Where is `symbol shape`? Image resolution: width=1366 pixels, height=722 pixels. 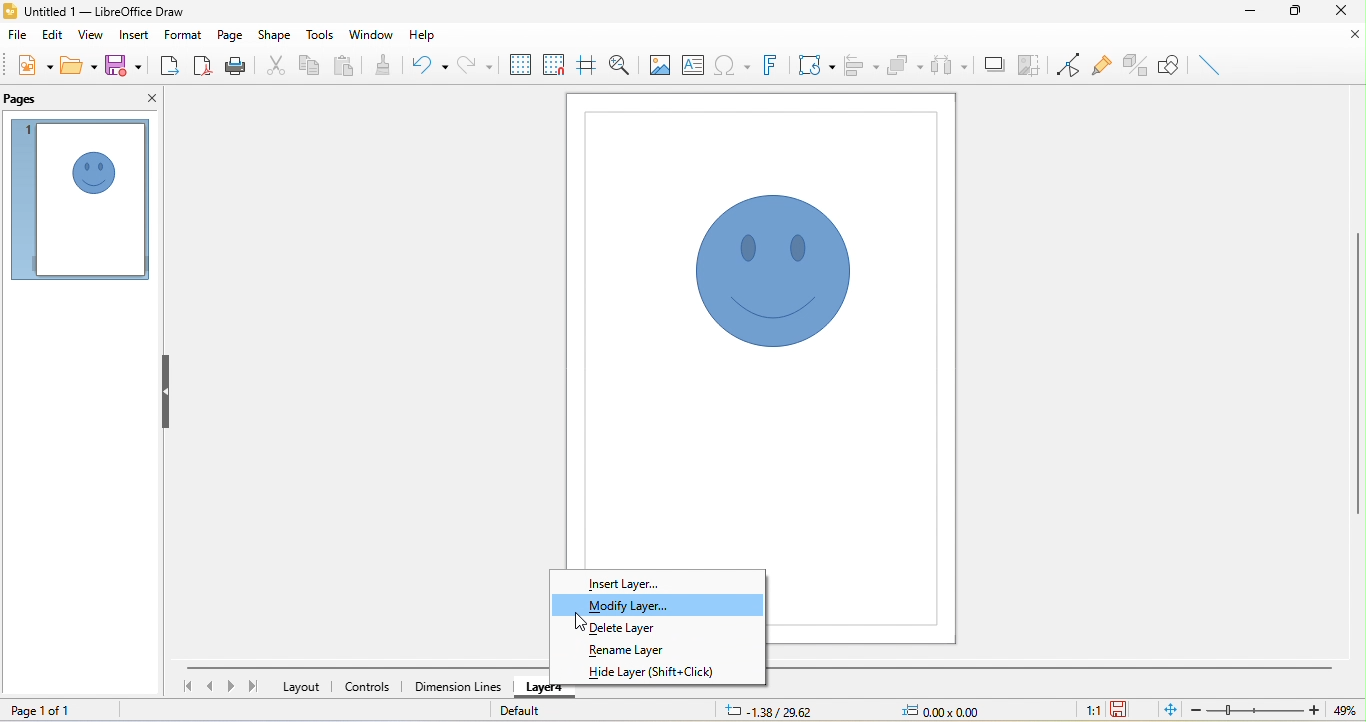 symbol shape is located at coordinates (764, 275).